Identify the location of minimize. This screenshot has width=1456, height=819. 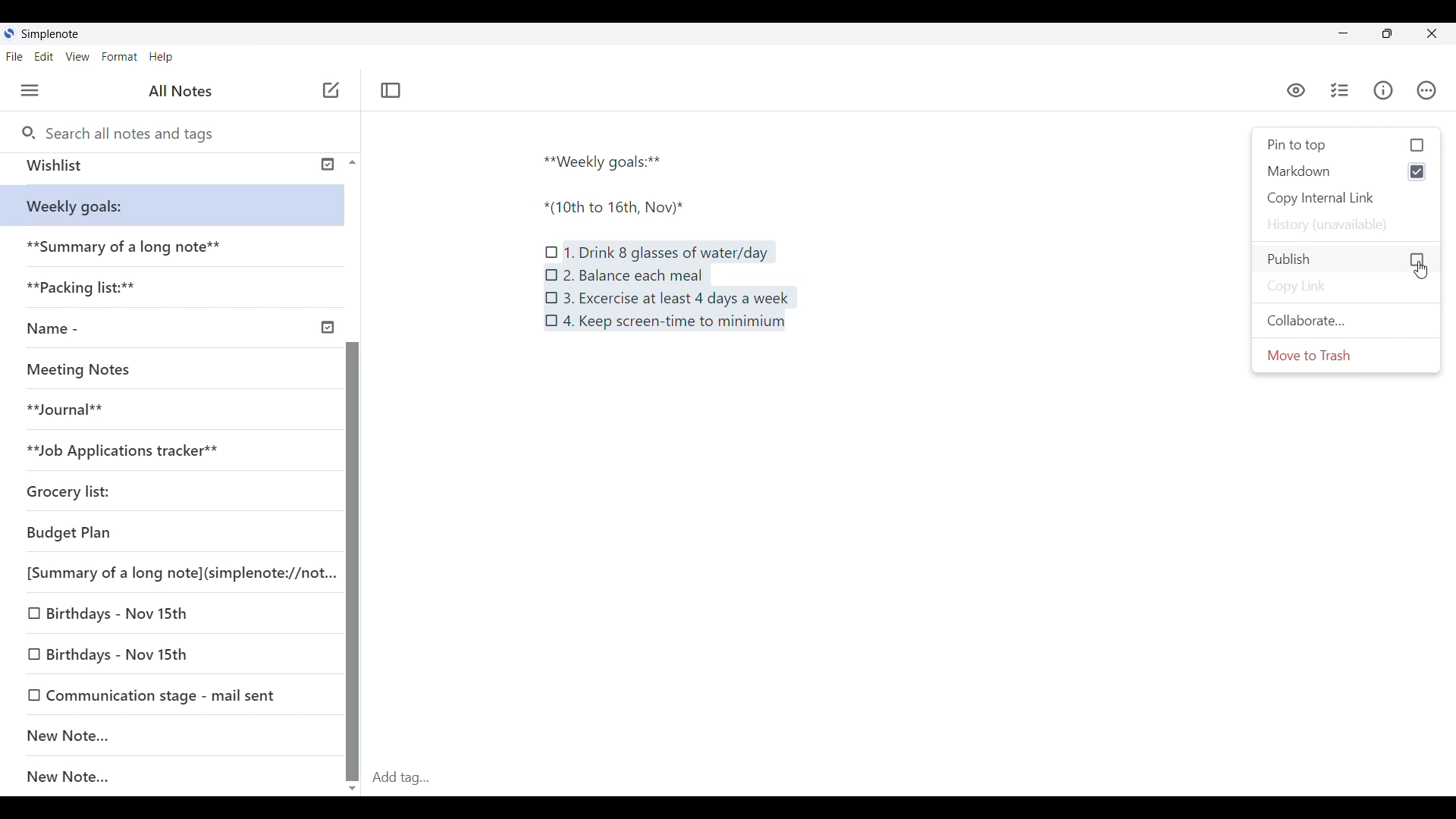
(1344, 36).